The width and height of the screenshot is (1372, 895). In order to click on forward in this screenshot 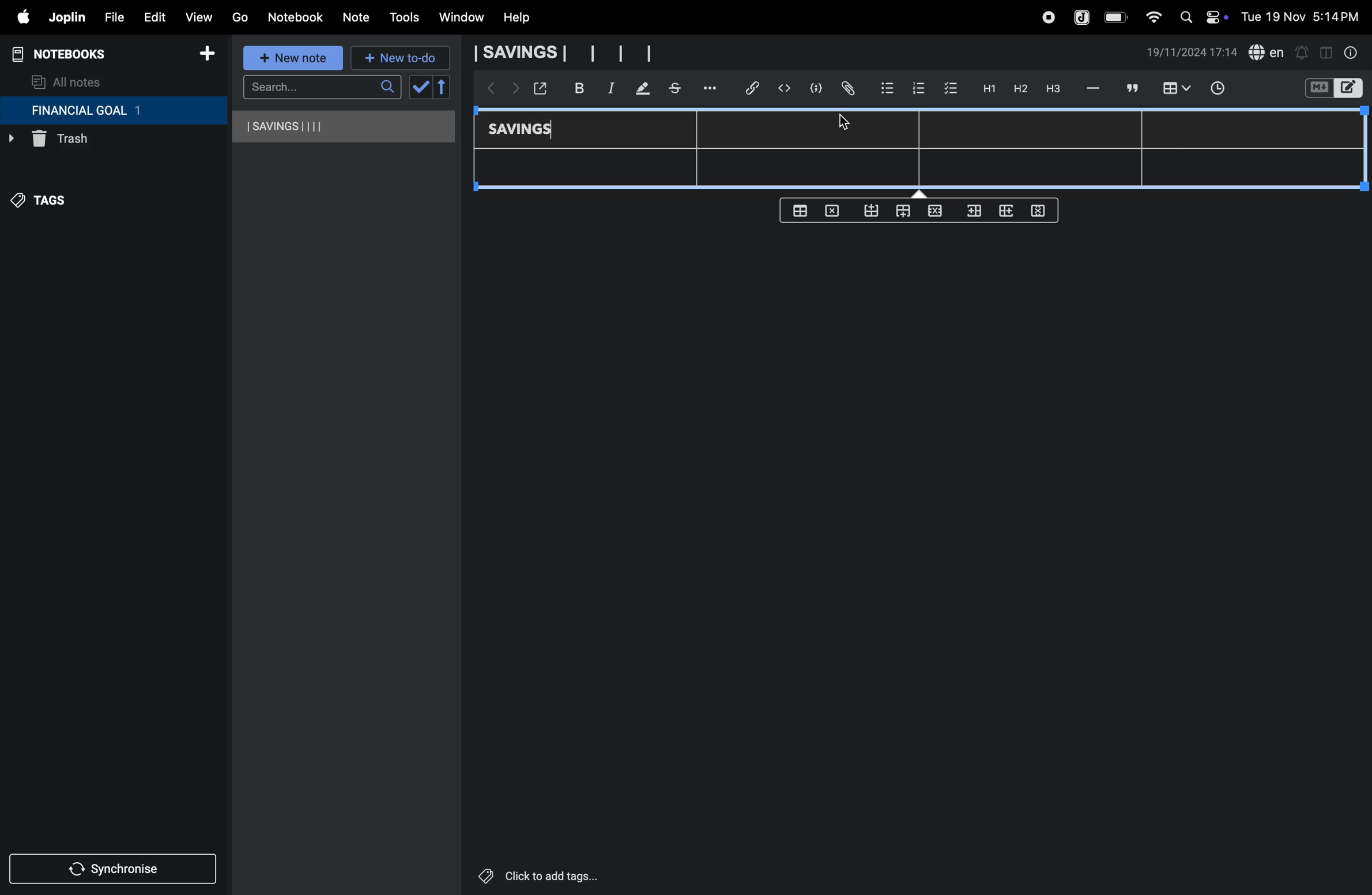, I will do `click(512, 91)`.